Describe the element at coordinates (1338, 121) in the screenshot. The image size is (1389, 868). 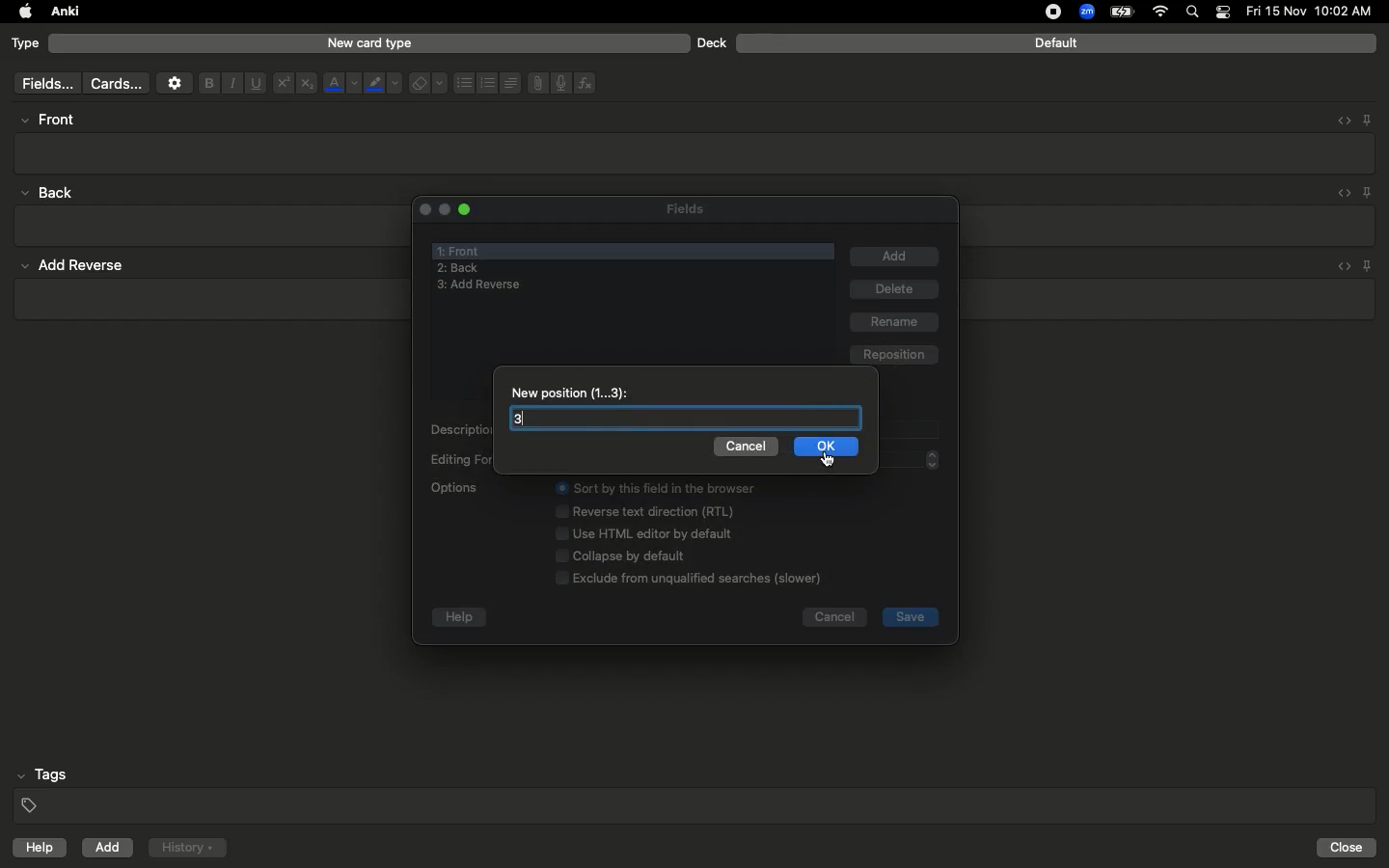
I see `Embed` at that location.